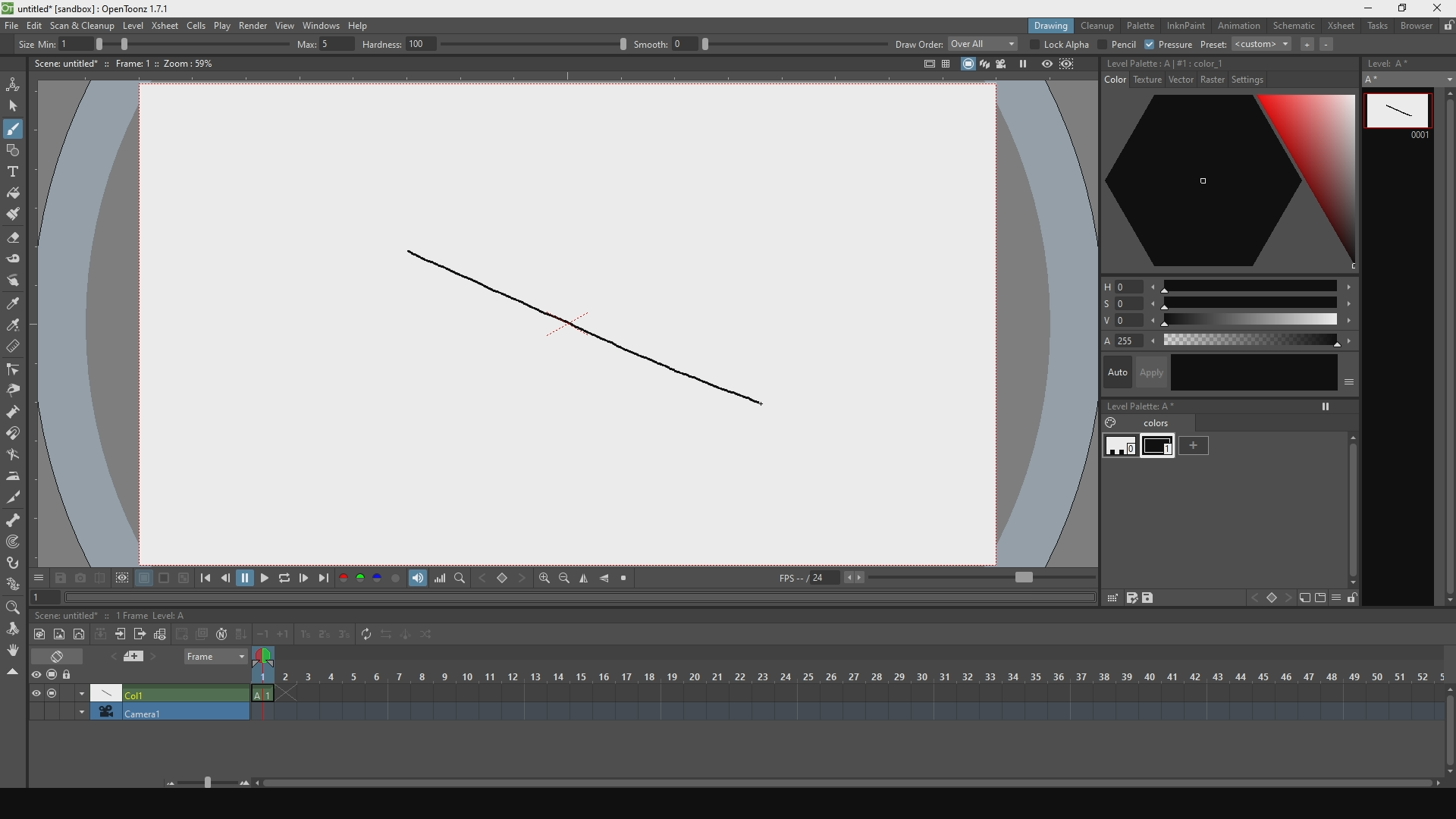 The height and width of the screenshot is (819, 1456). I want to click on edit control, so click(14, 371).